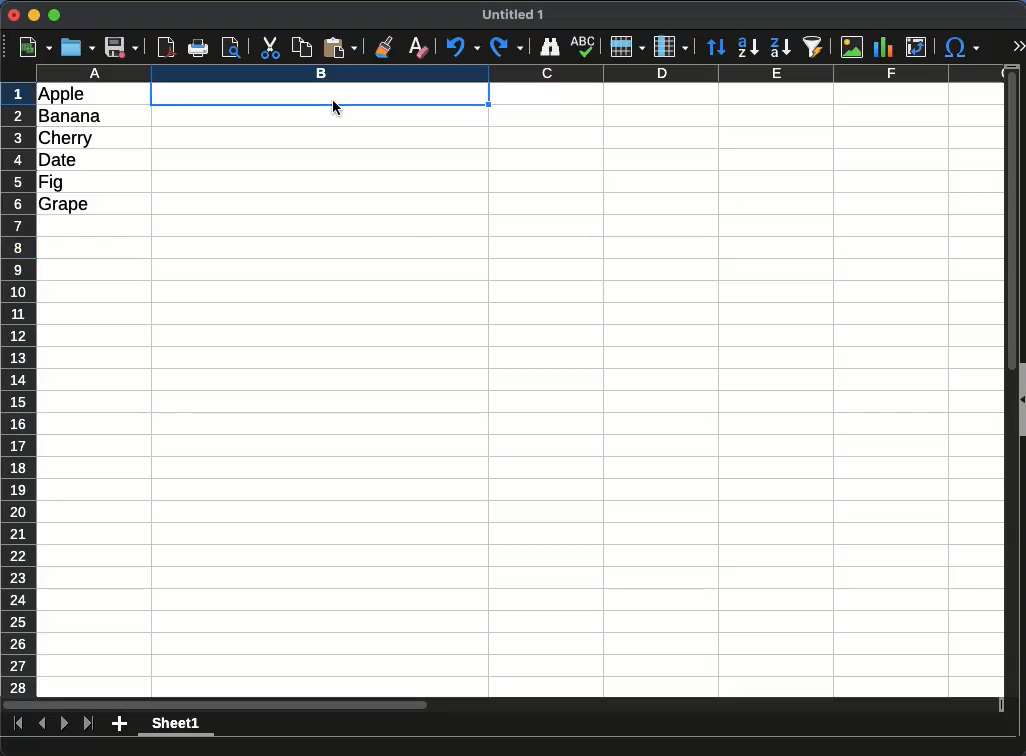 The image size is (1026, 756). What do you see at coordinates (122, 48) in the screenshot?
I see `save` at bounding box center [122, 48].